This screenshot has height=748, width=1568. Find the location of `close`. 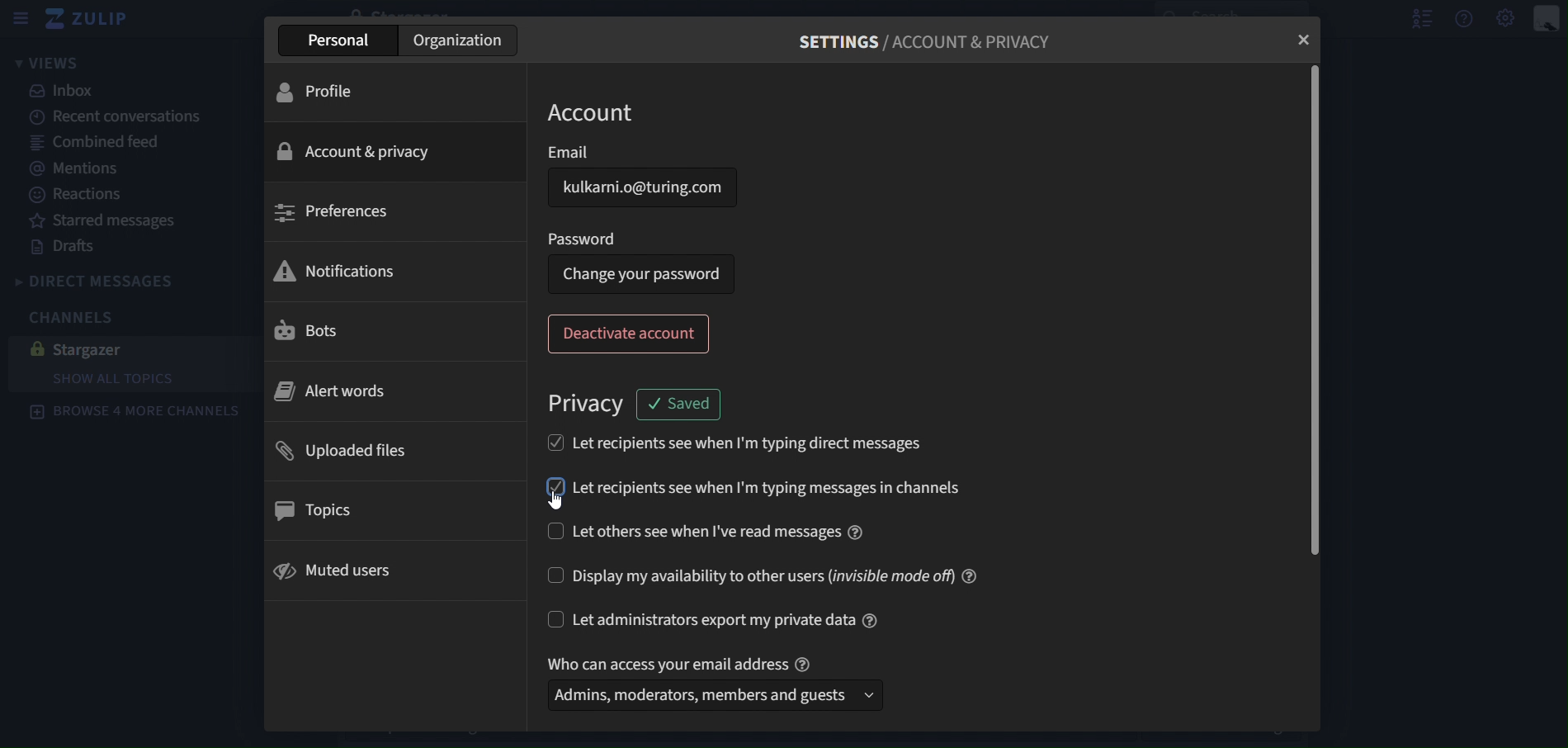

close is located at coordinates (1306, 39).